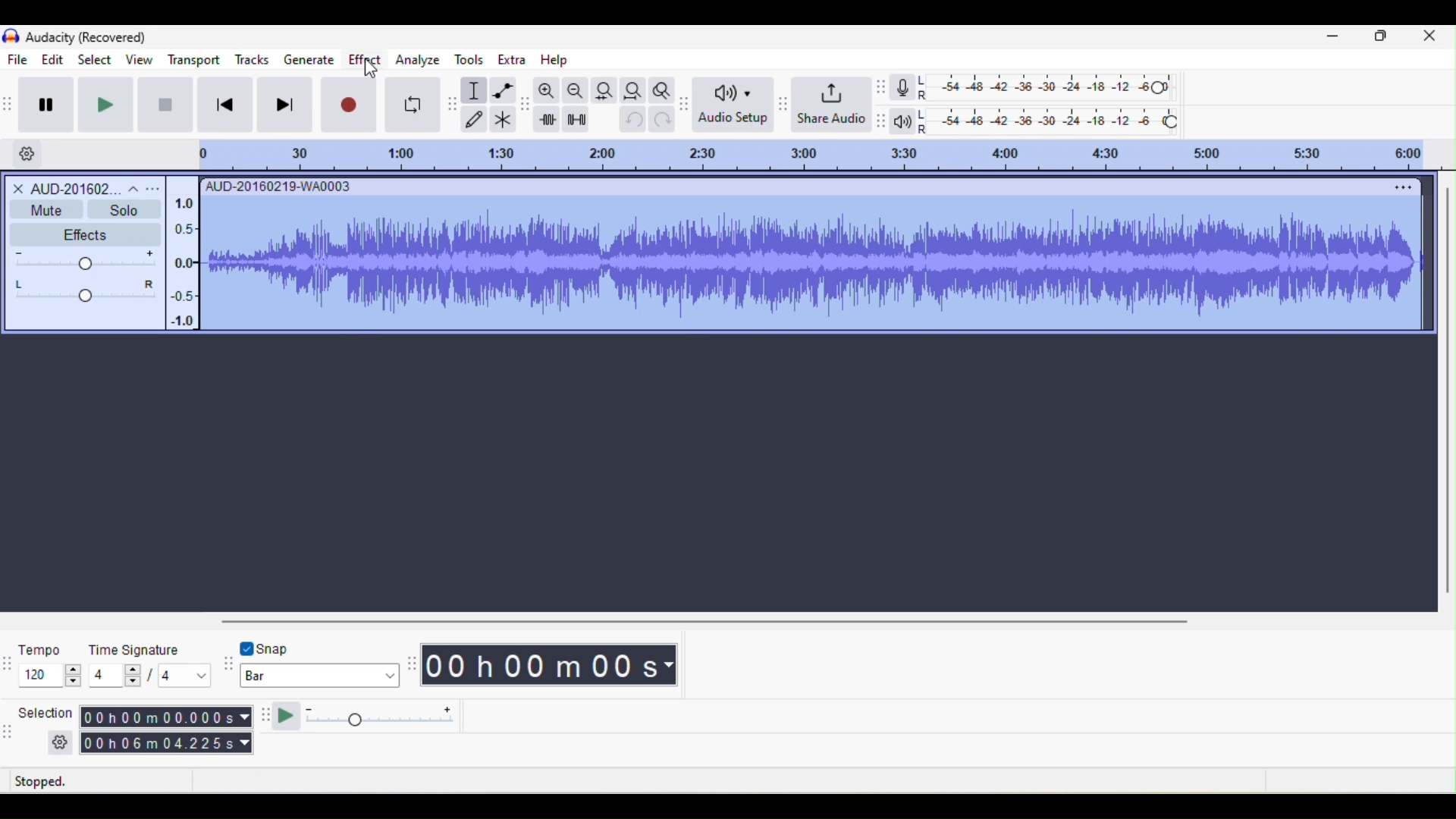 This screenshot has width=1456, height=819. I want to click on enable looping, so click(411, 104).